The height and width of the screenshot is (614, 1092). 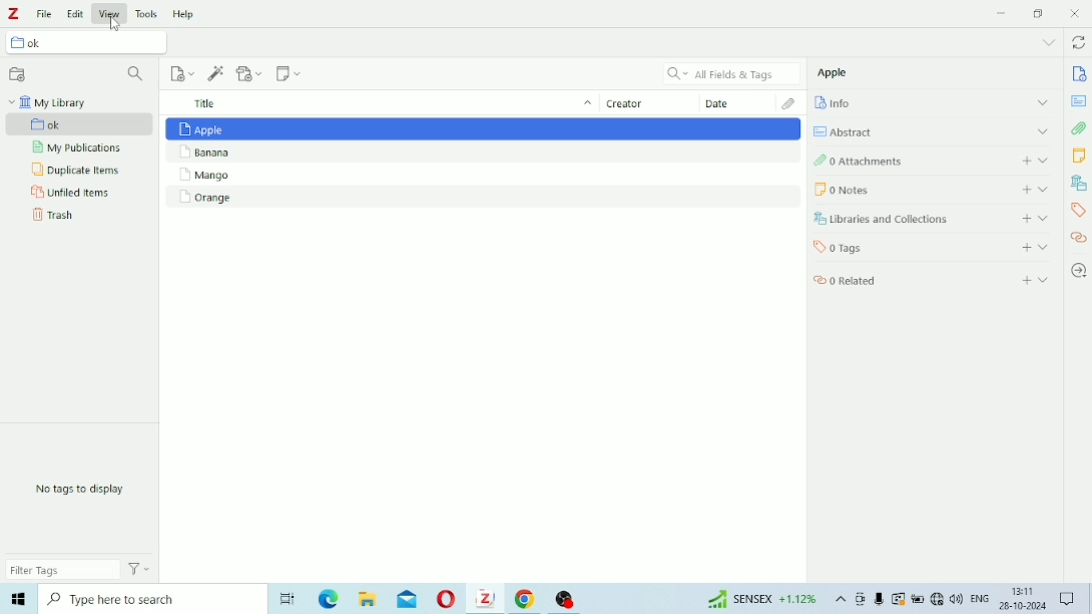 I want to click on more, so click(x=1049, y=41).